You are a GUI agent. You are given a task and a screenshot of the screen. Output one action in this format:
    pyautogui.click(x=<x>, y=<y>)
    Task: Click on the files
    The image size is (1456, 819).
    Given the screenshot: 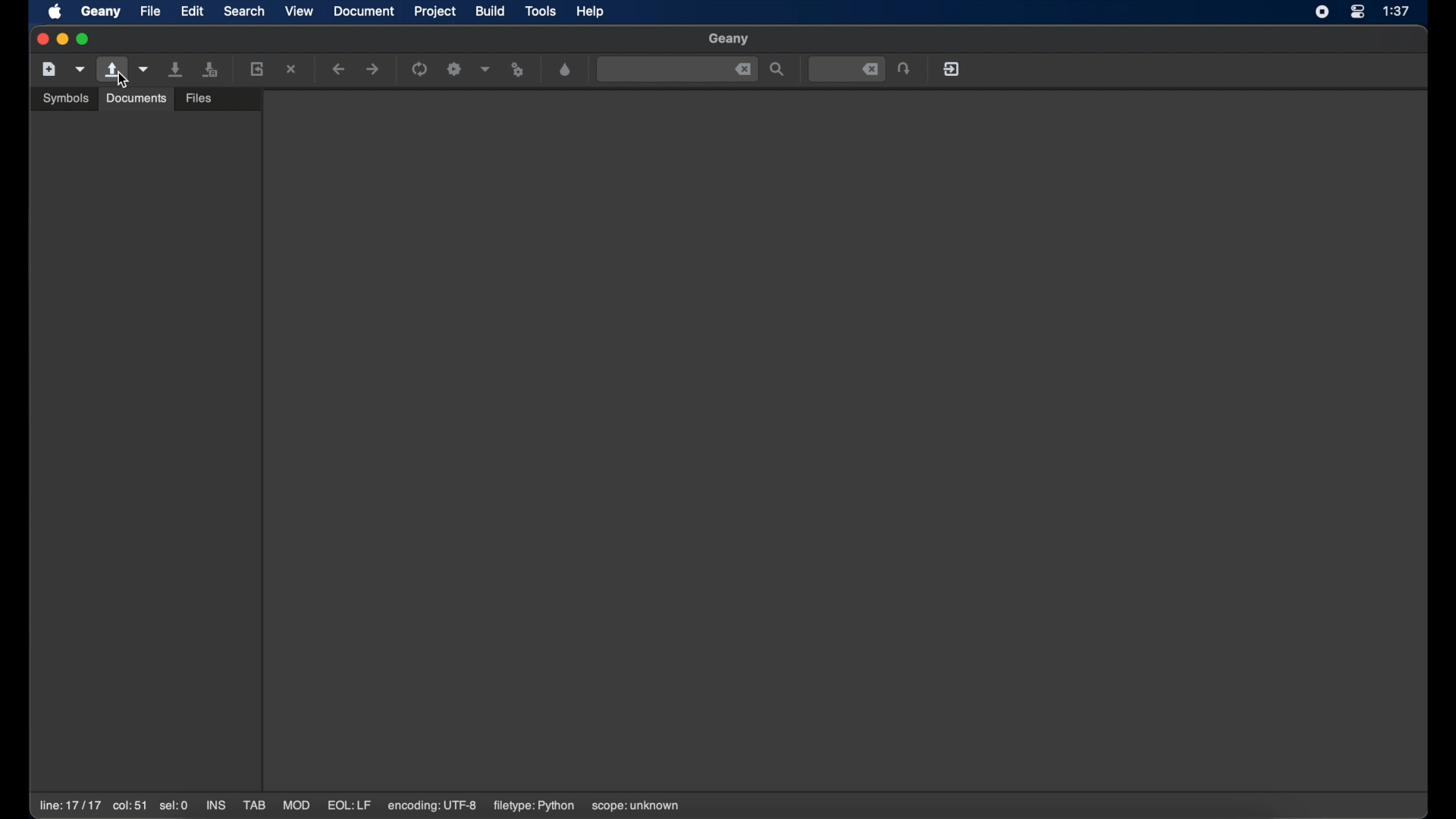 What is the action you would take?
    pyautogui.click(x=201, y=96)
    